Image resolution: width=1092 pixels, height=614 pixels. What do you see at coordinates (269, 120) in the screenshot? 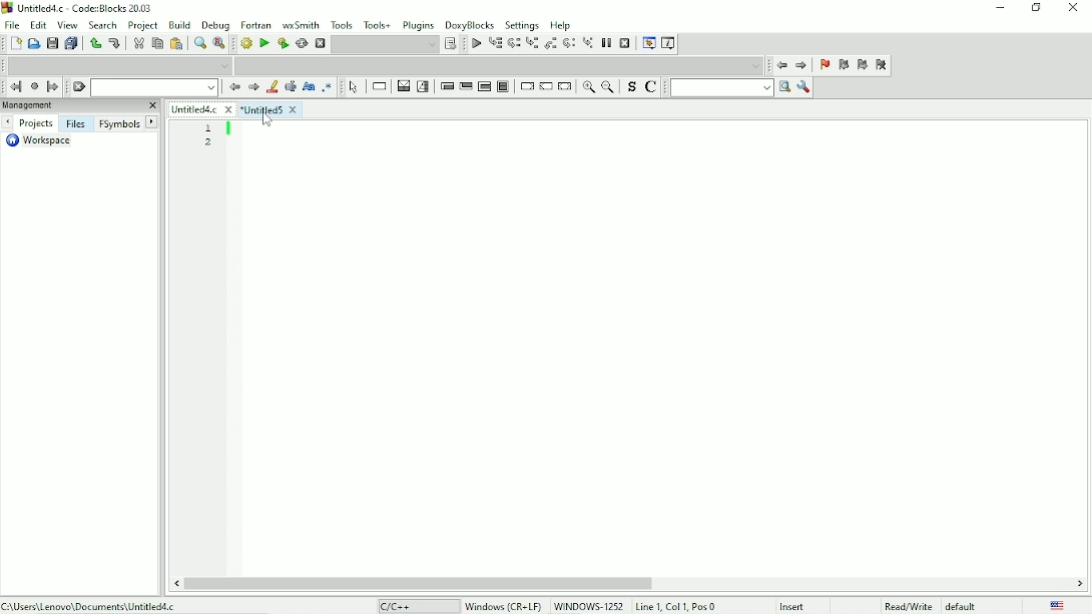
I see `Cursor` at bounding box center [269, 120].